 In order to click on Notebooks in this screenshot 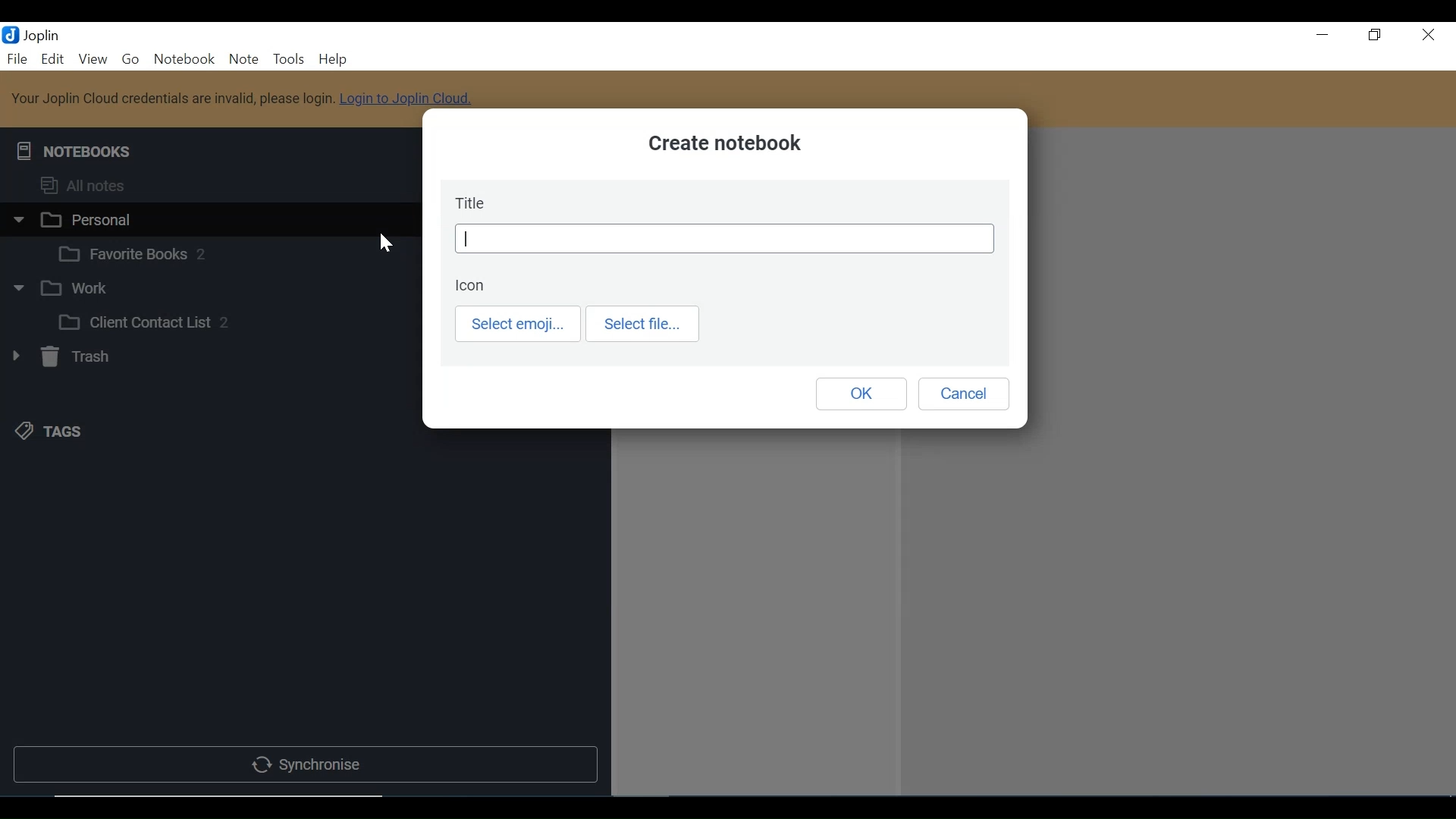, I will do `click(74, 148)`.